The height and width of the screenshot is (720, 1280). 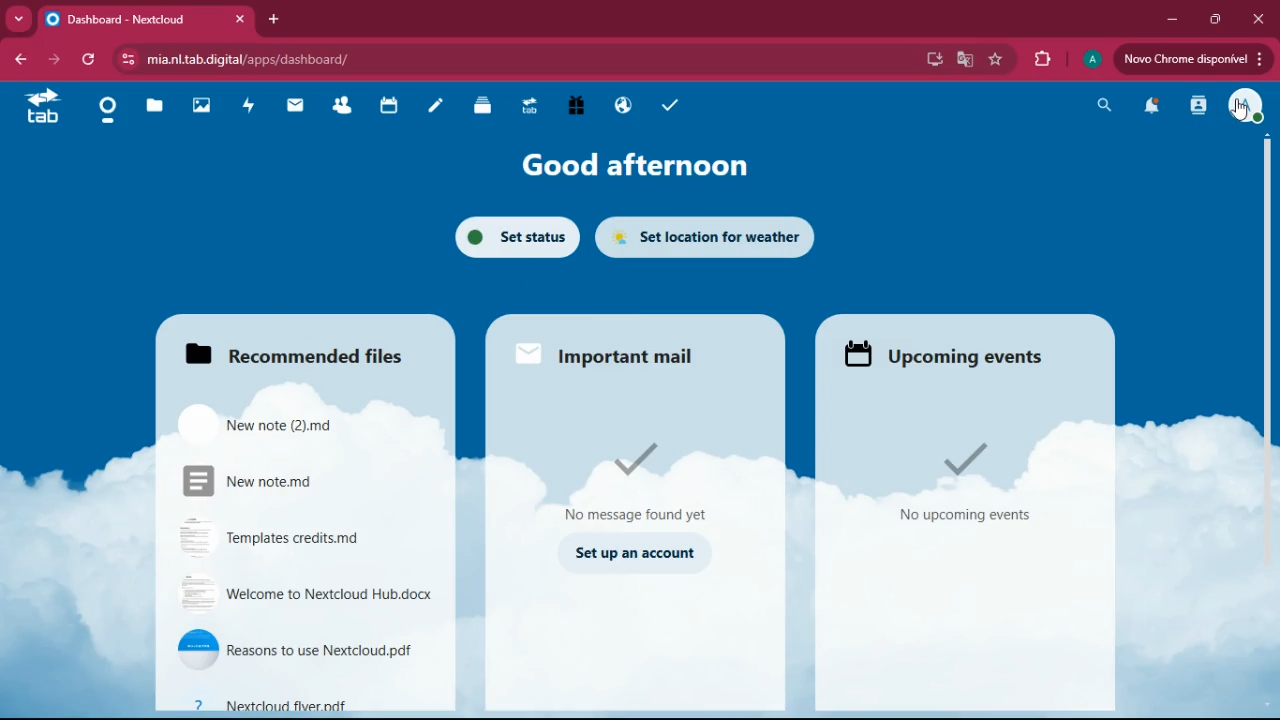 I want to click on desktop, so click(x=932, y=62).